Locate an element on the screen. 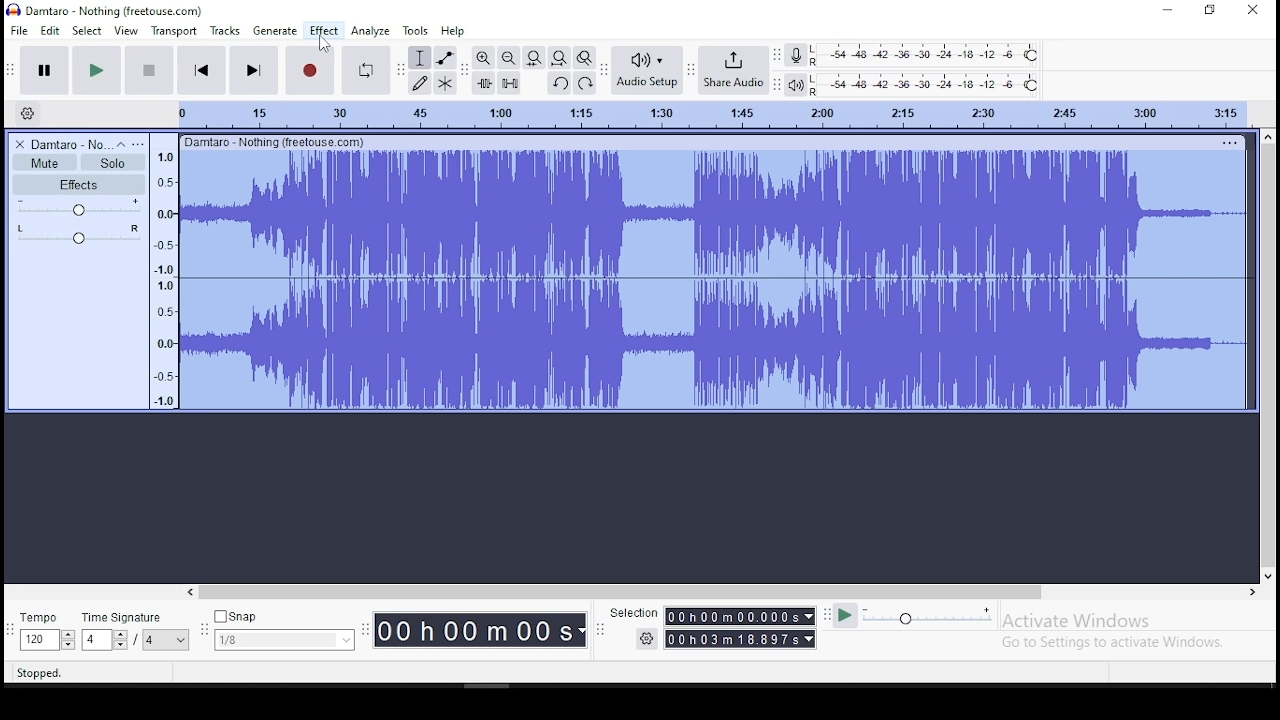 The width and height of the screenshot is (1280, 720). 00 h 00 m 00.000 s is located at coordinates (740, 616).